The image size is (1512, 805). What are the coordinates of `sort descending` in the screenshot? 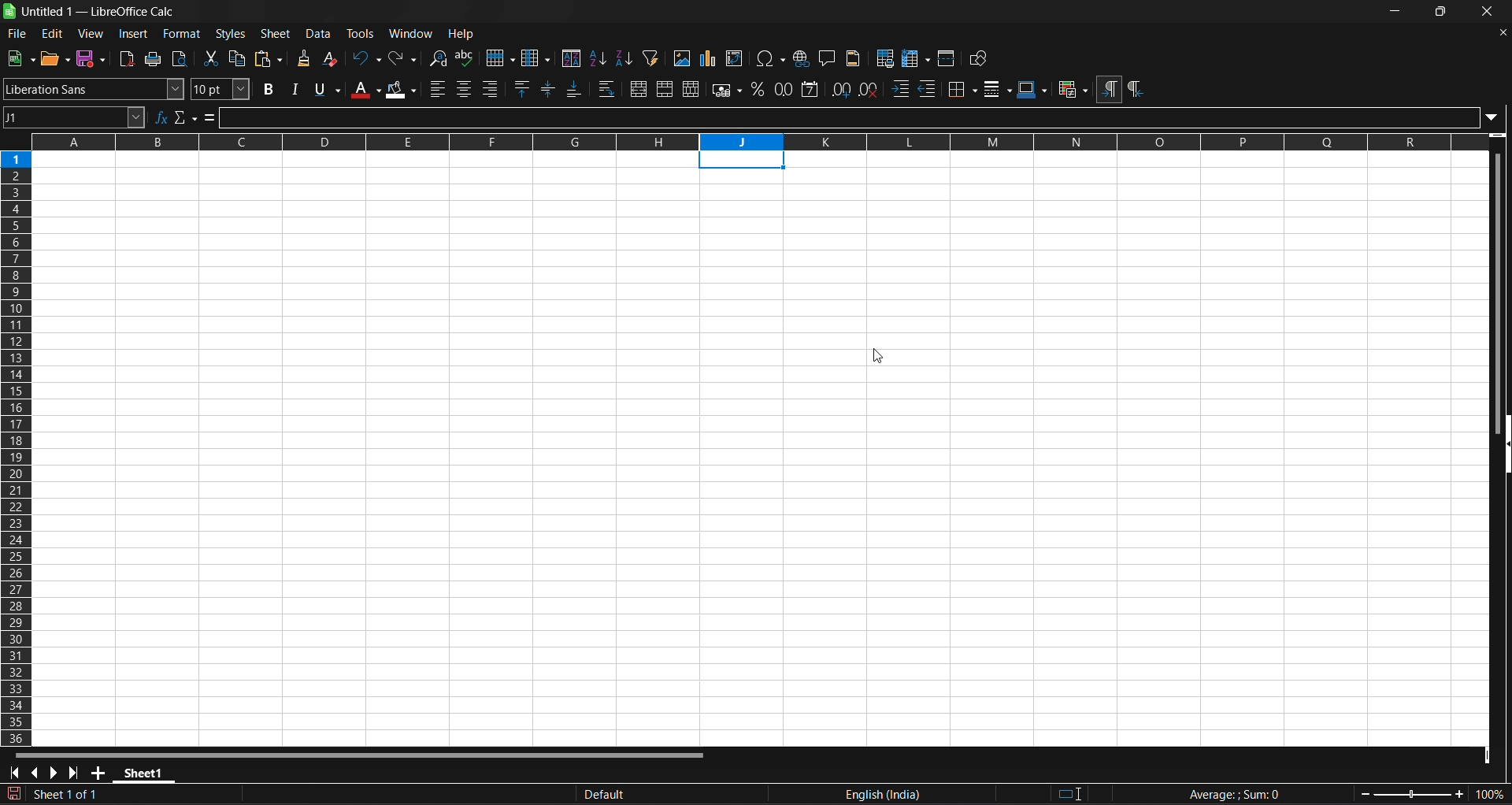 It's located at (625, 57).